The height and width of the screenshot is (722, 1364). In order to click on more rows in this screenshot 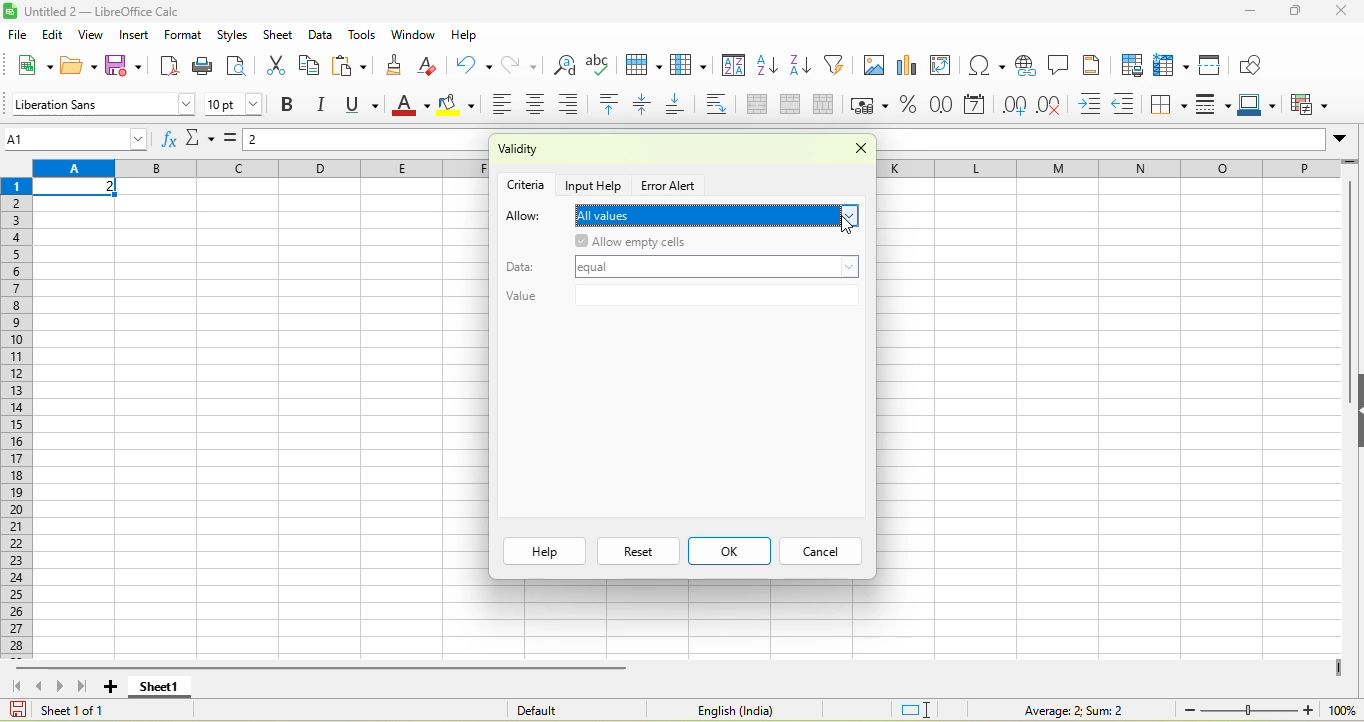, I will do `click(1351, 166)`.